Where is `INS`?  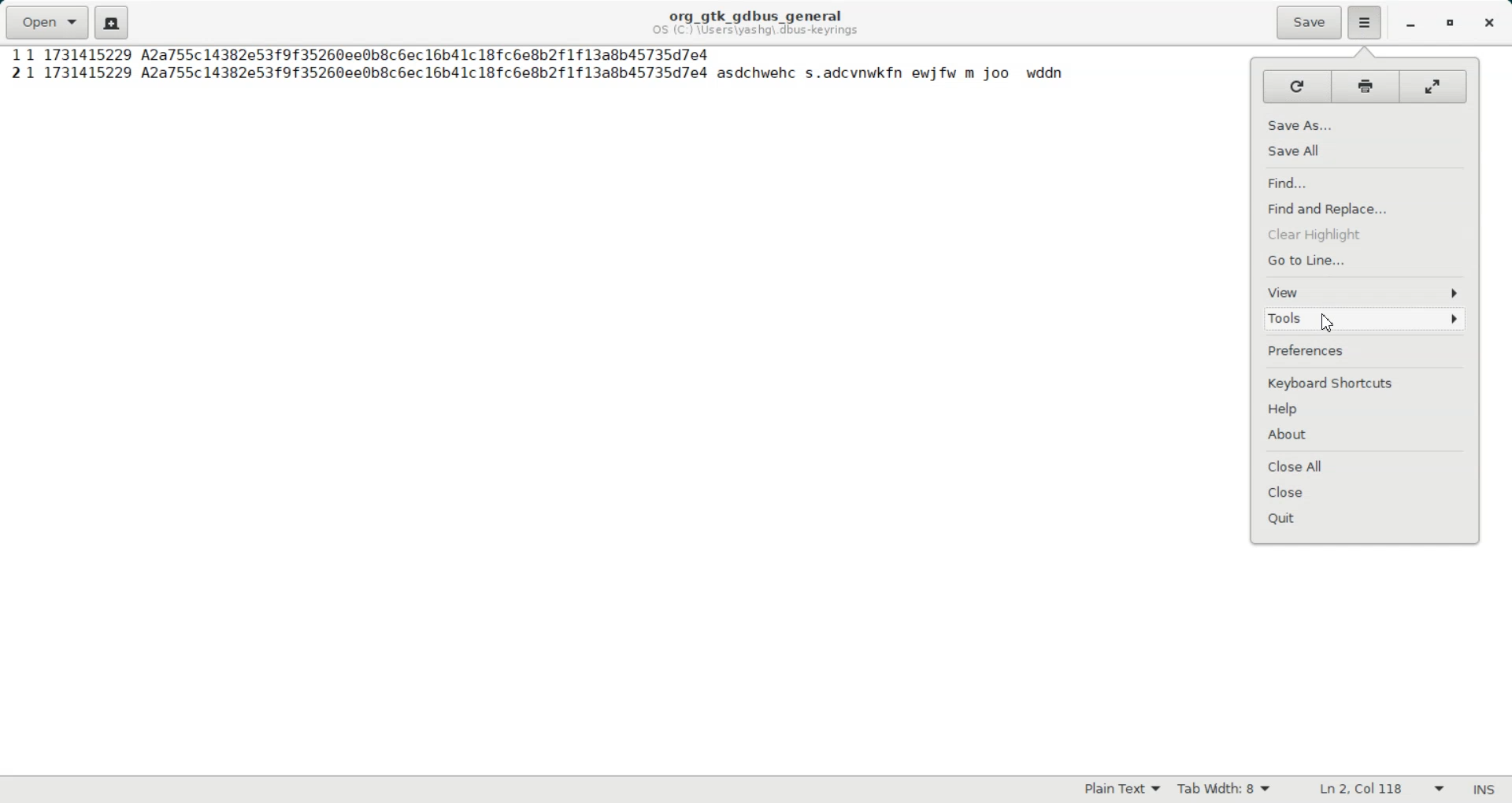
INS is located at coordinates (1484, 790).